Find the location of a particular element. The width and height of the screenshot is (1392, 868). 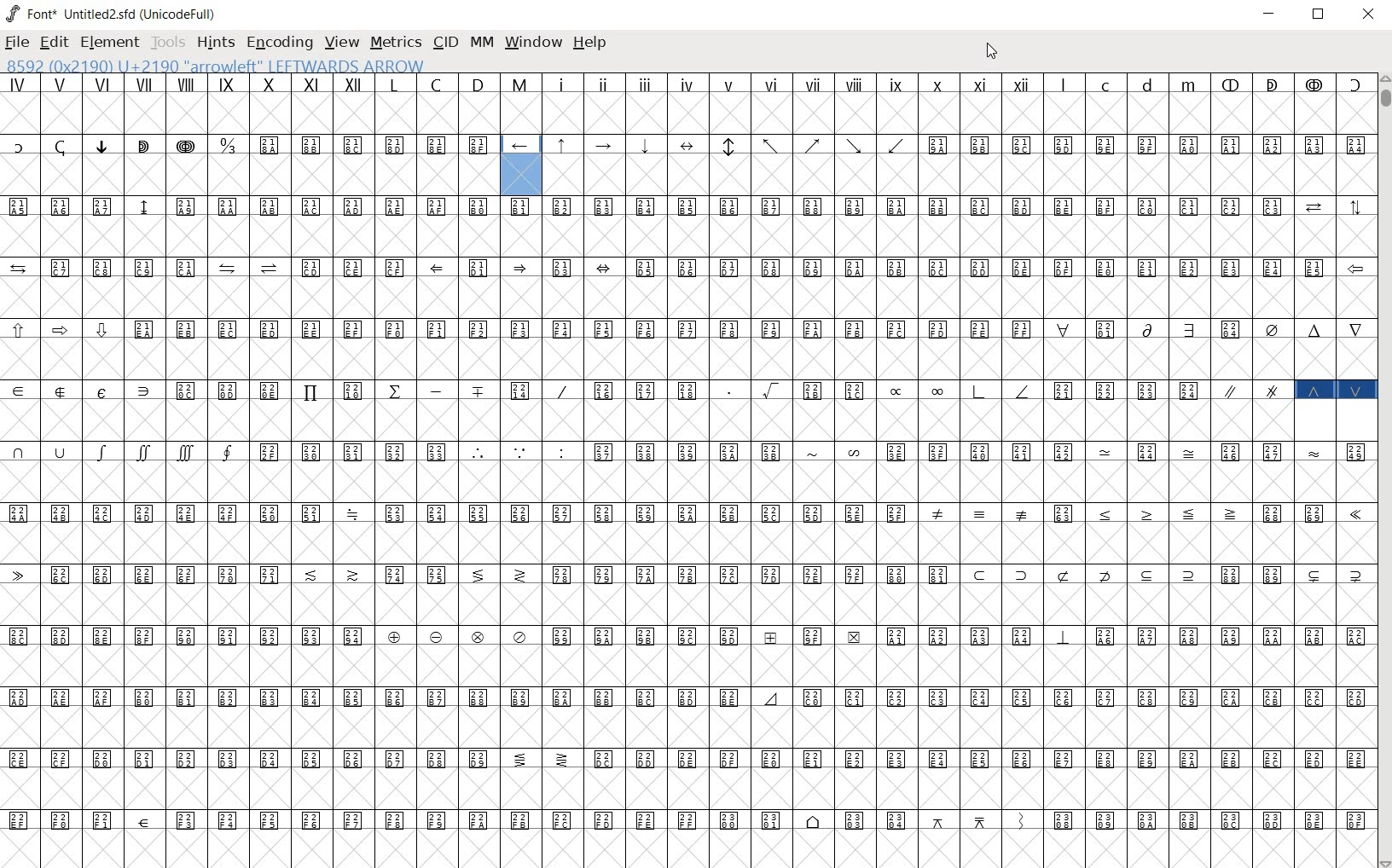

encoding is located at coordinates (281, 44).